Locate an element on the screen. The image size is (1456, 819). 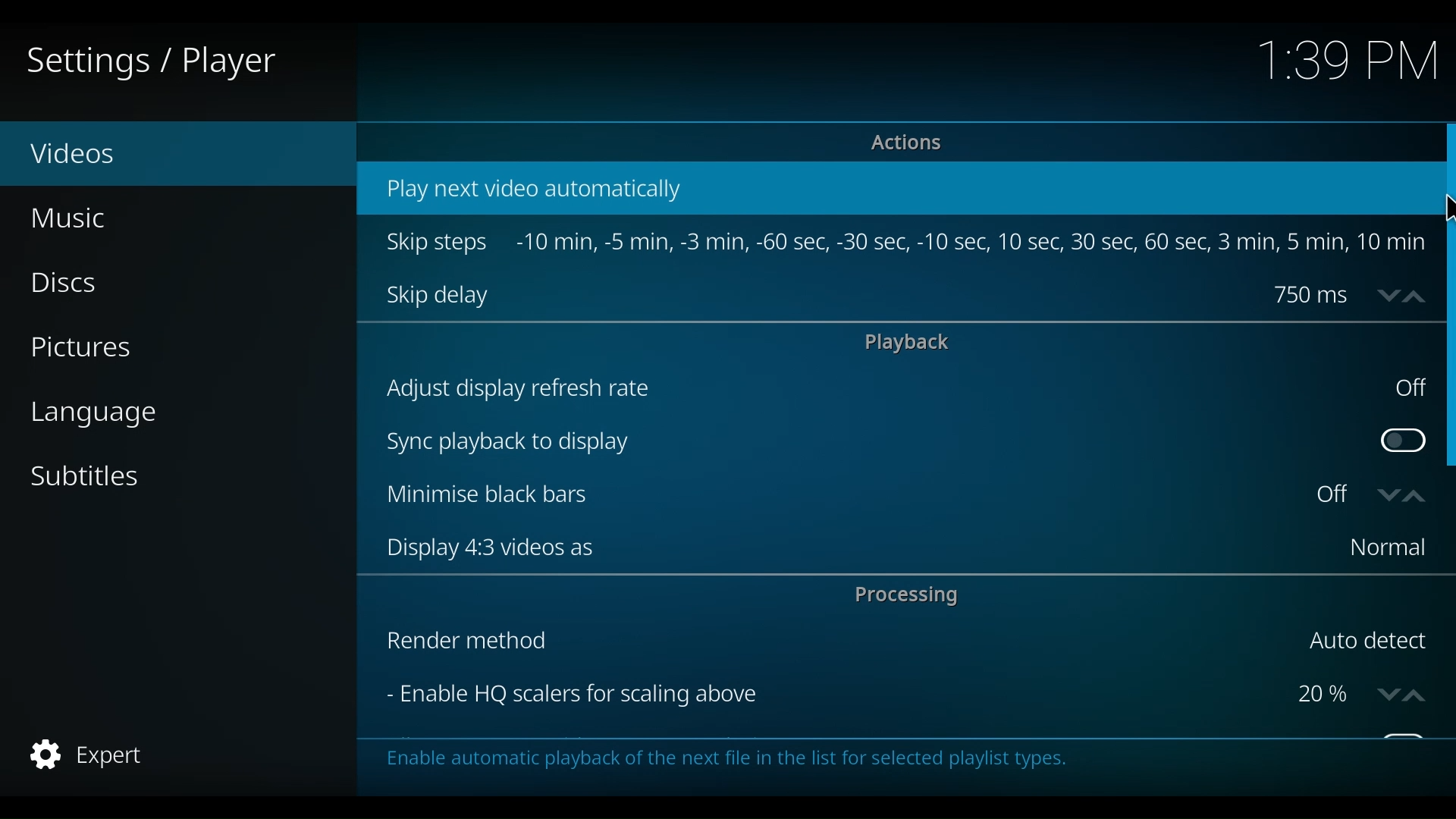
playback is located at coordinates (906, 342).